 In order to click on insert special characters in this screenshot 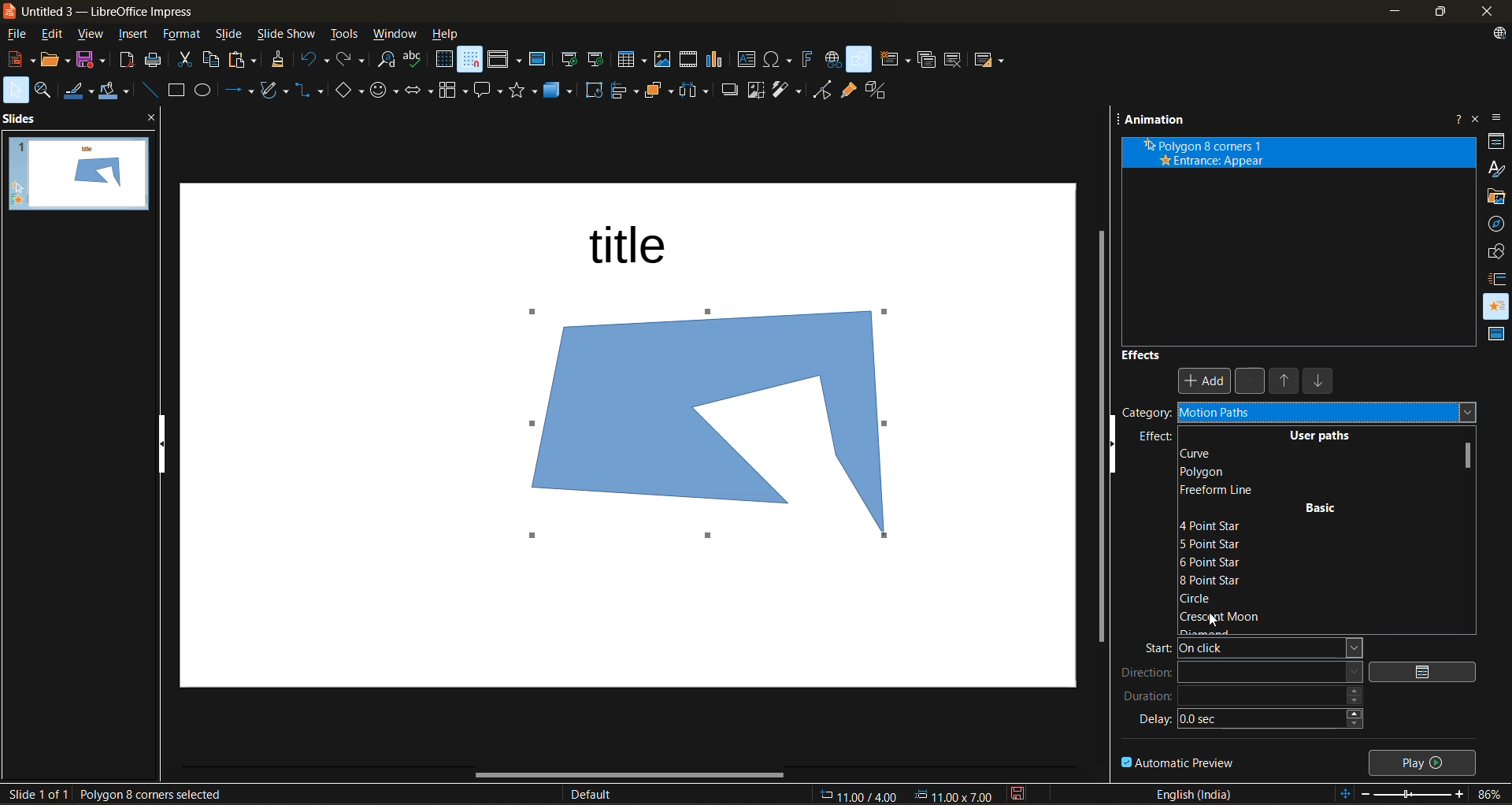, I will do `click(779, 61)`.